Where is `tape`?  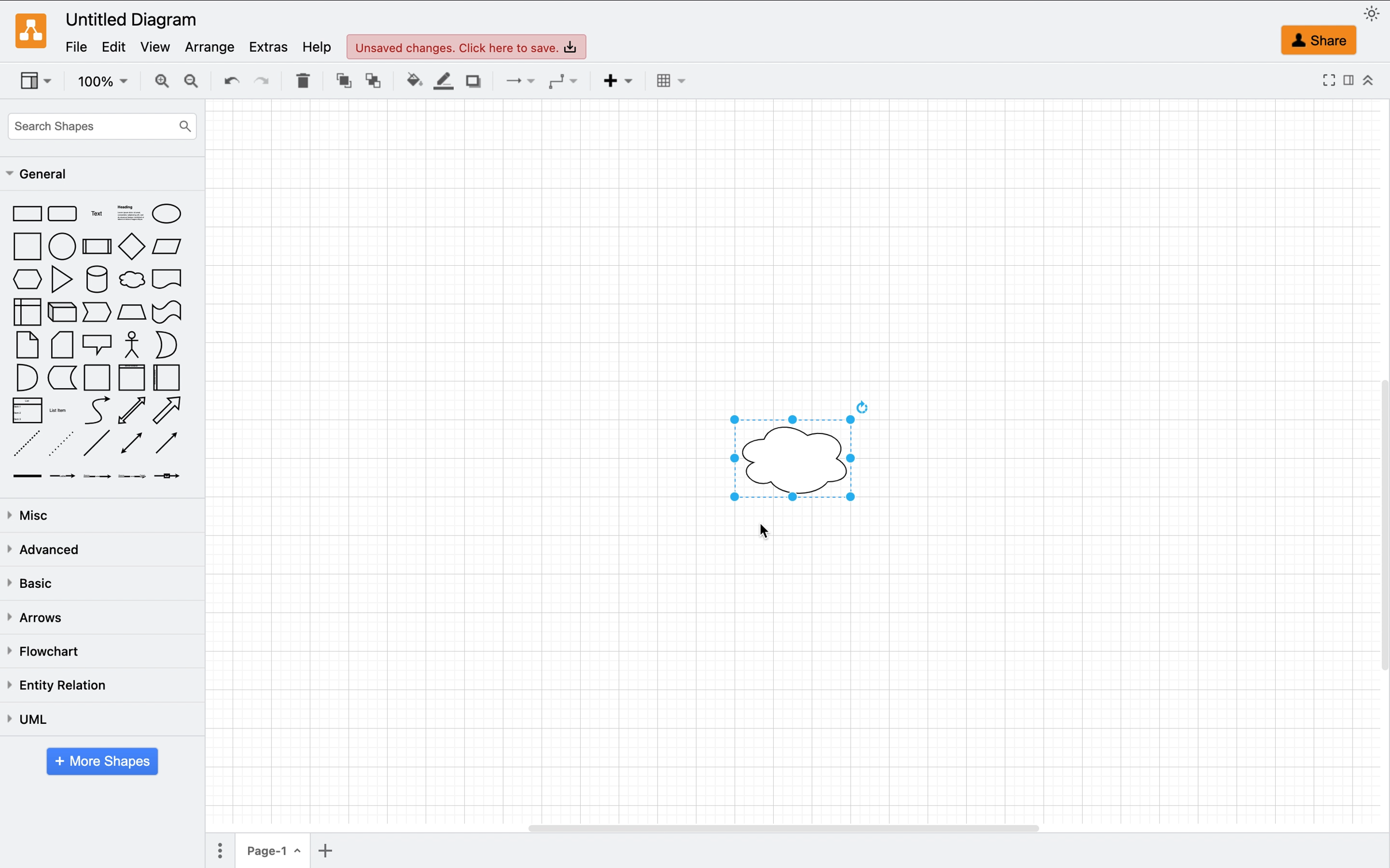 tape is located at coordinates (167, 312).